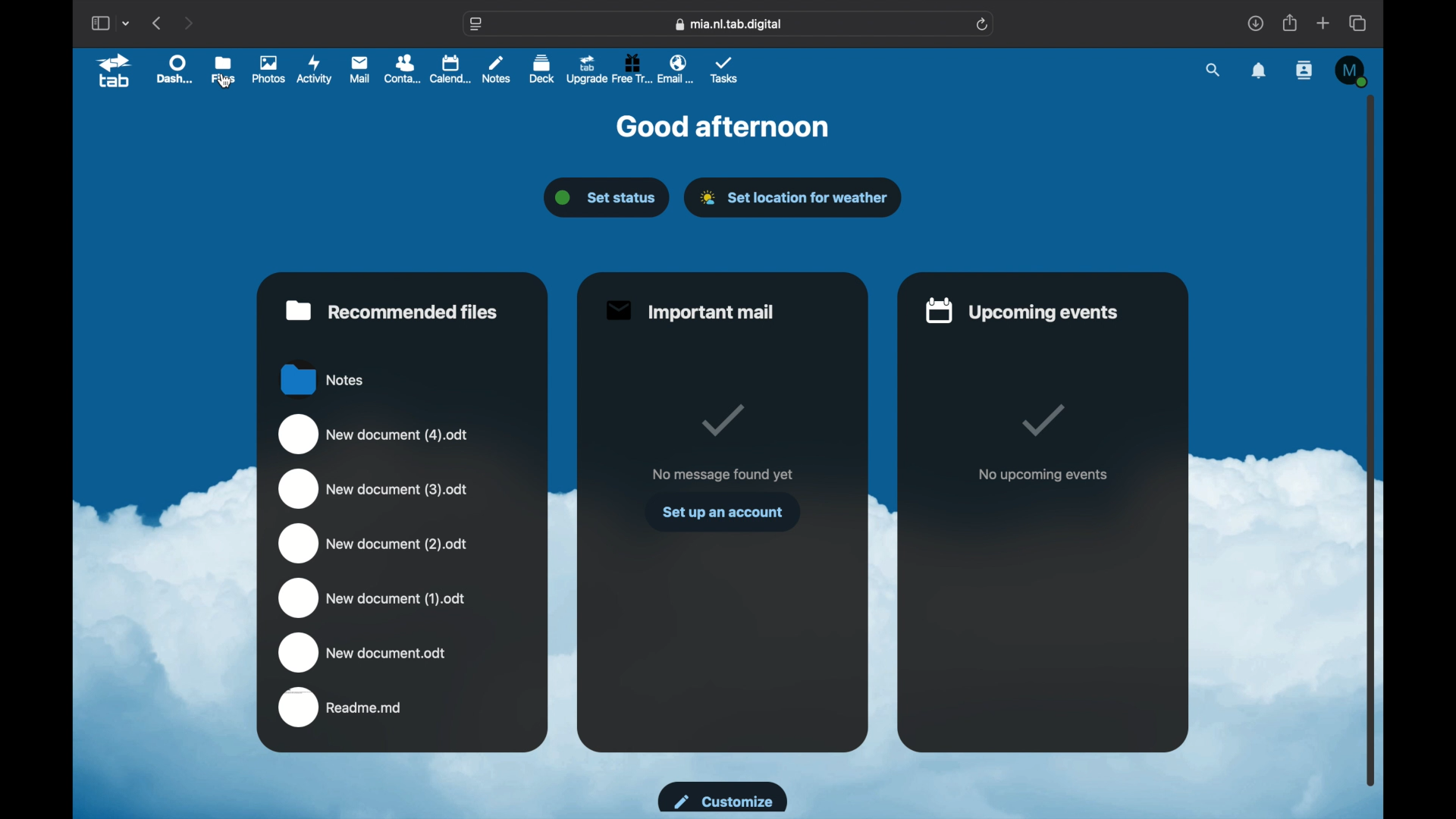 This screenshot has width=1456, height=819. I want to click on new document, so click(374, 543).